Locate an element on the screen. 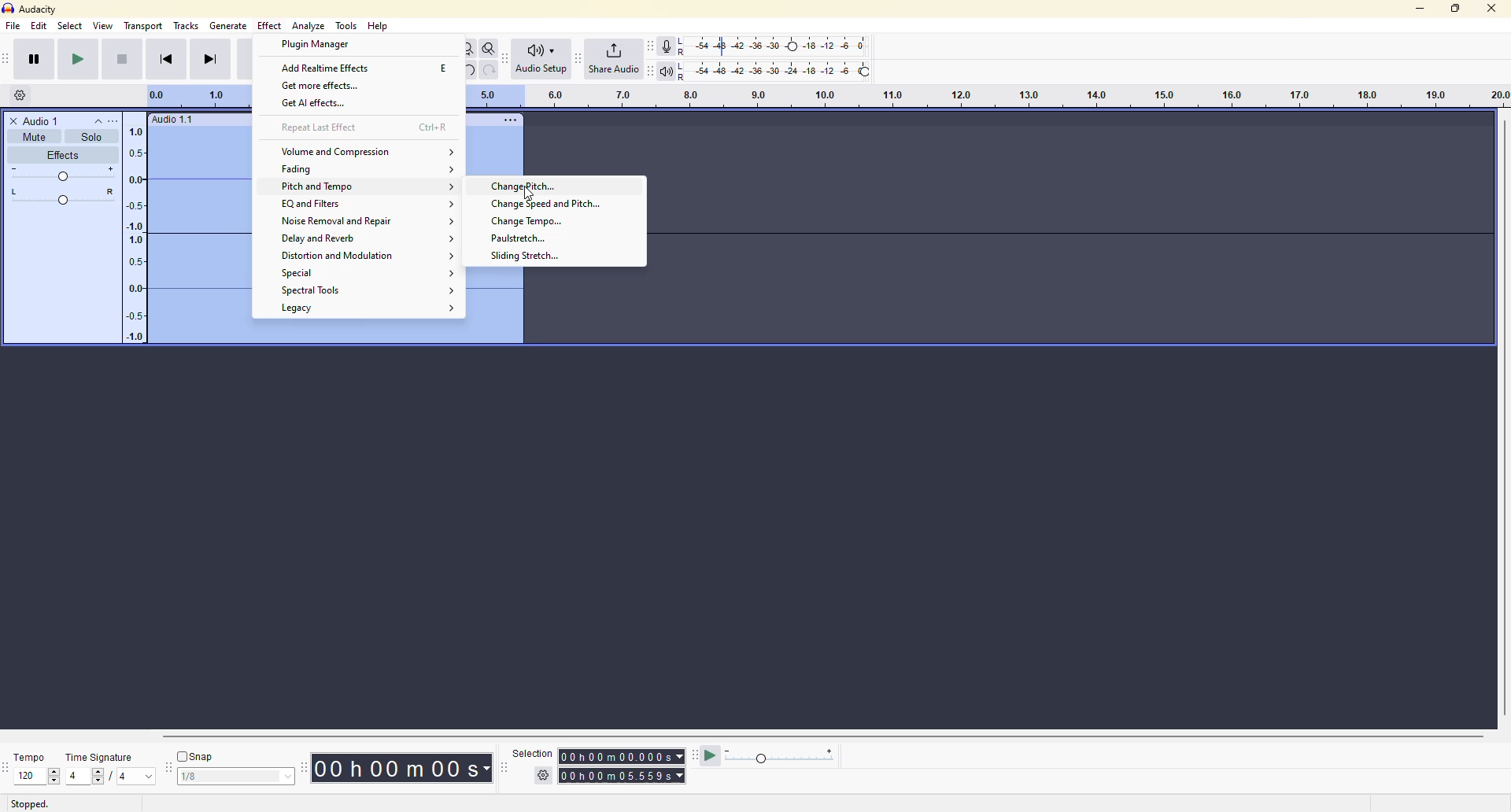 The image size is (1511, 812). share audio toolbar is located at coordinates (577, 58).